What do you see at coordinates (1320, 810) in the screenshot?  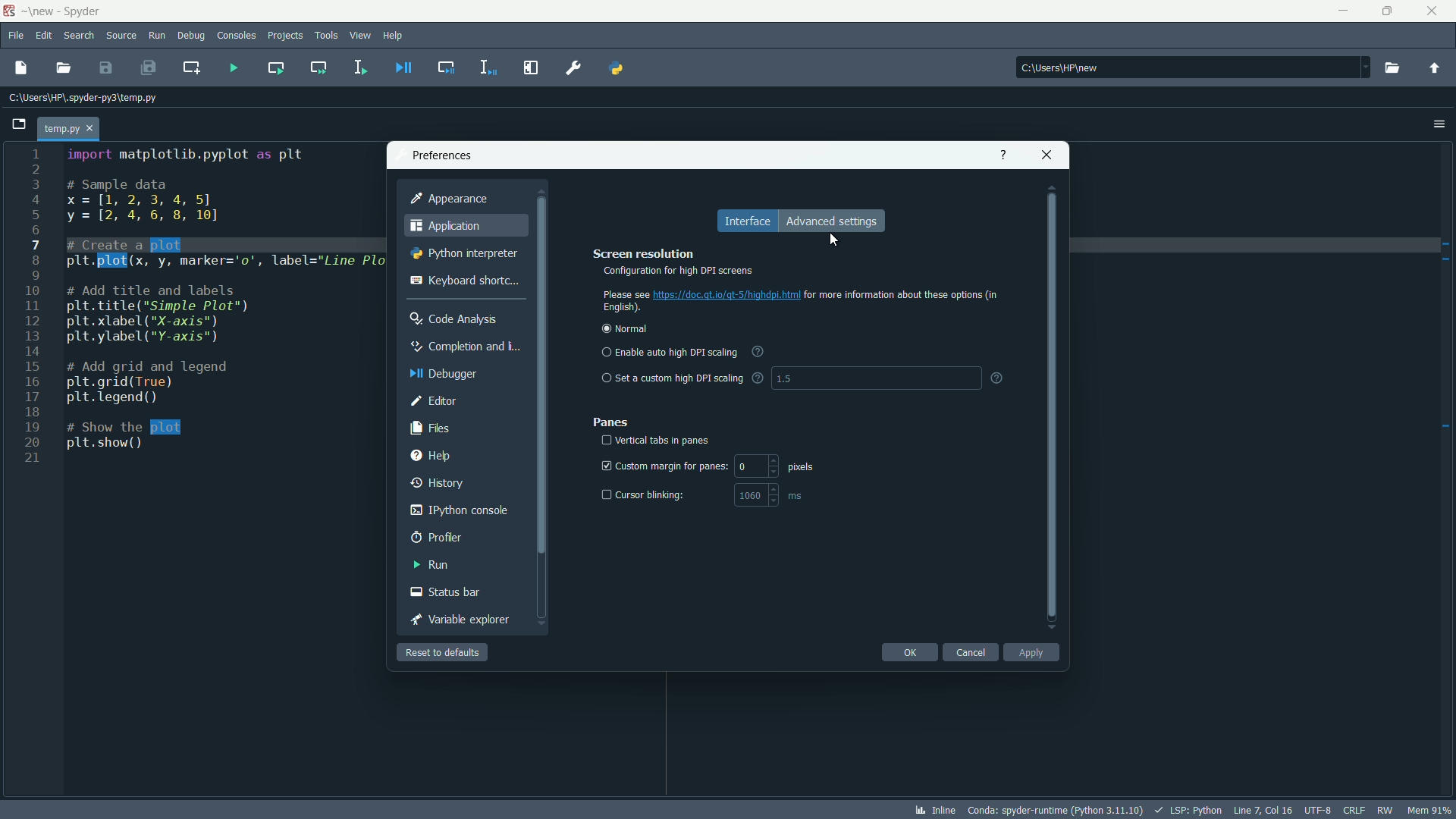 I see `file encoding` at bounding box center [1320, 810].